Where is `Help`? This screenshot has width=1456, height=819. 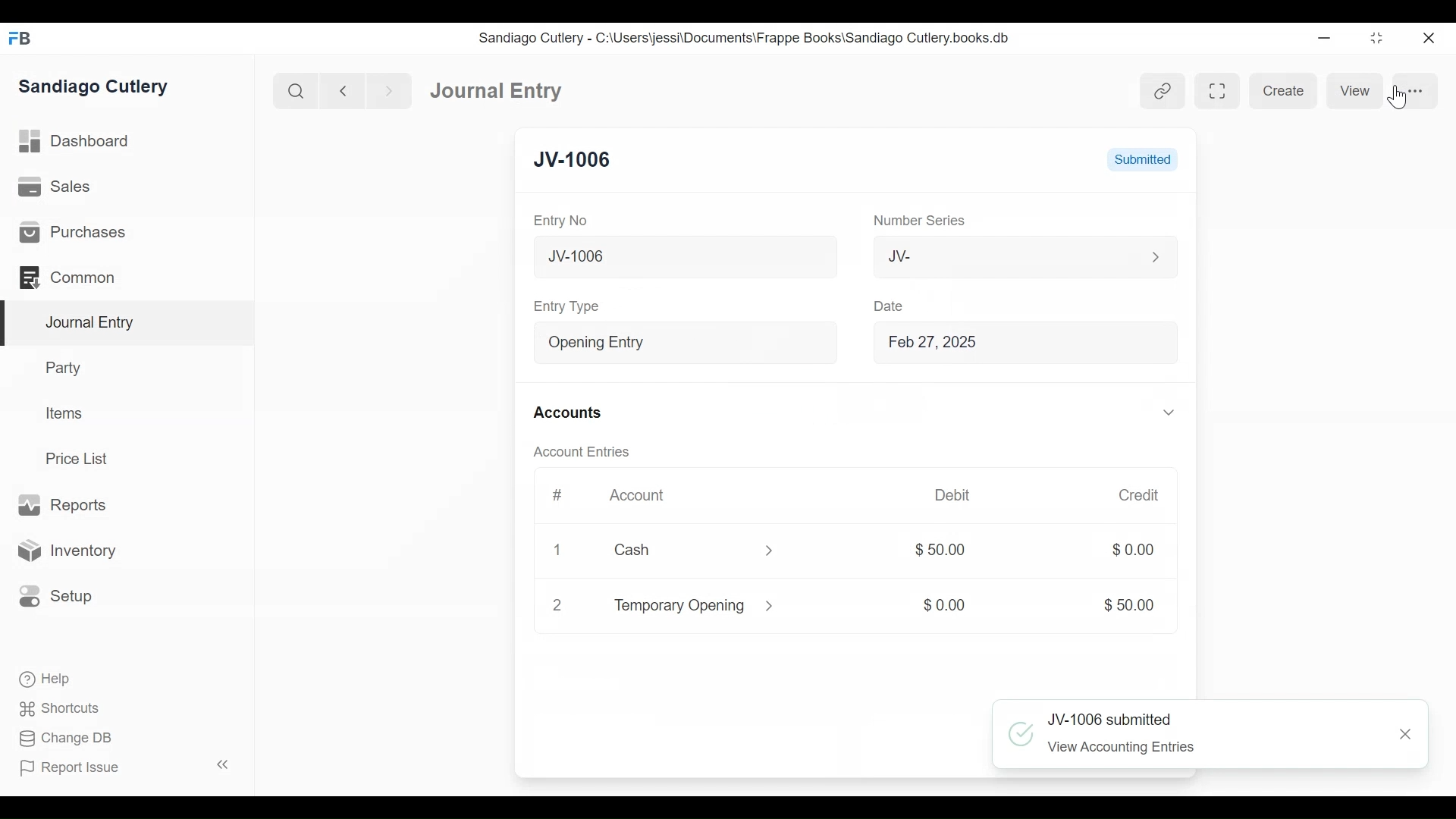 Help is located at coordinates (46, 679).